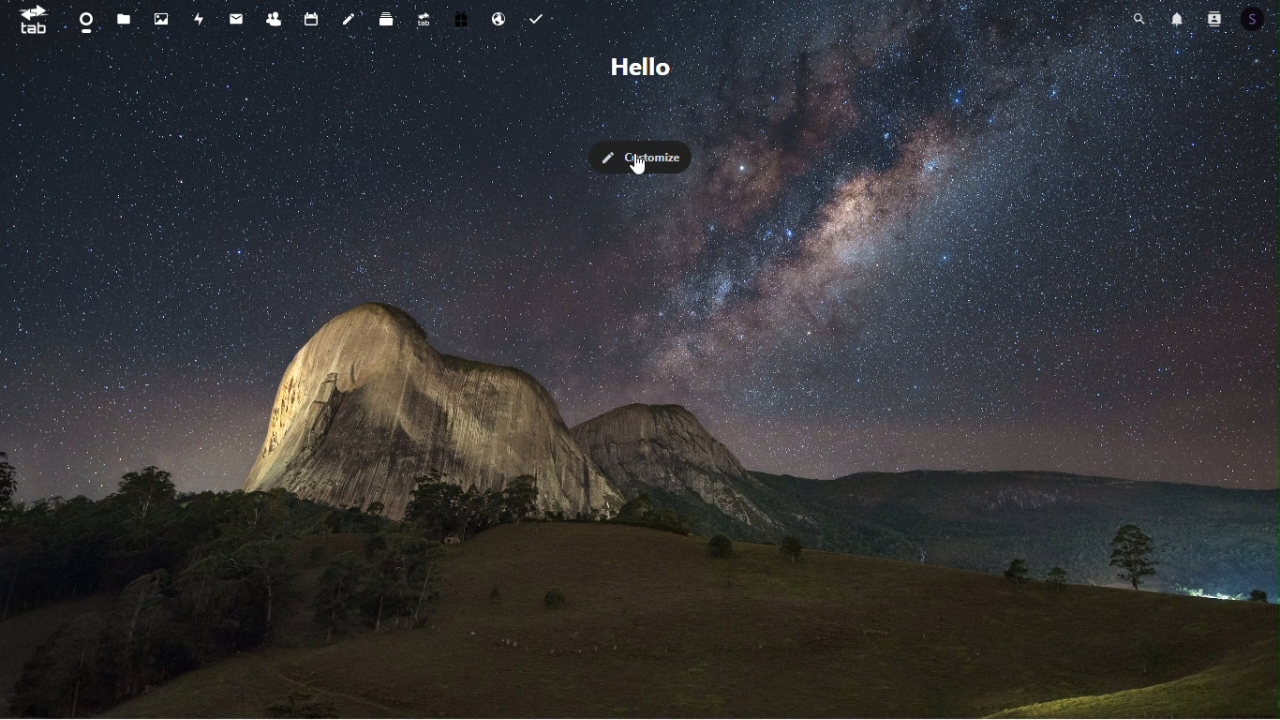  Describe the element at coordinates (198, 17) in the screenshot. I see `activity` at that location.